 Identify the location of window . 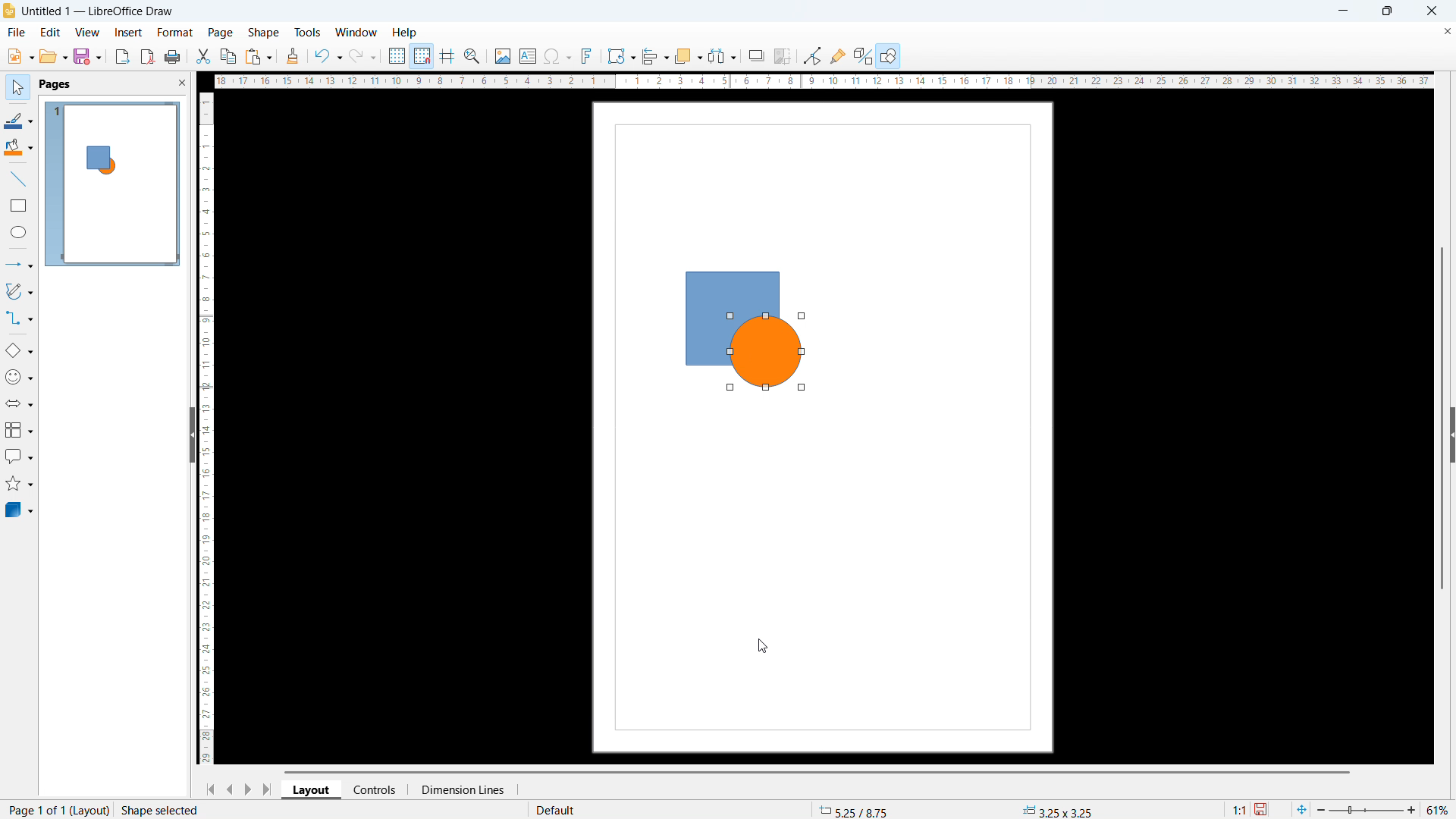
(356, 31).